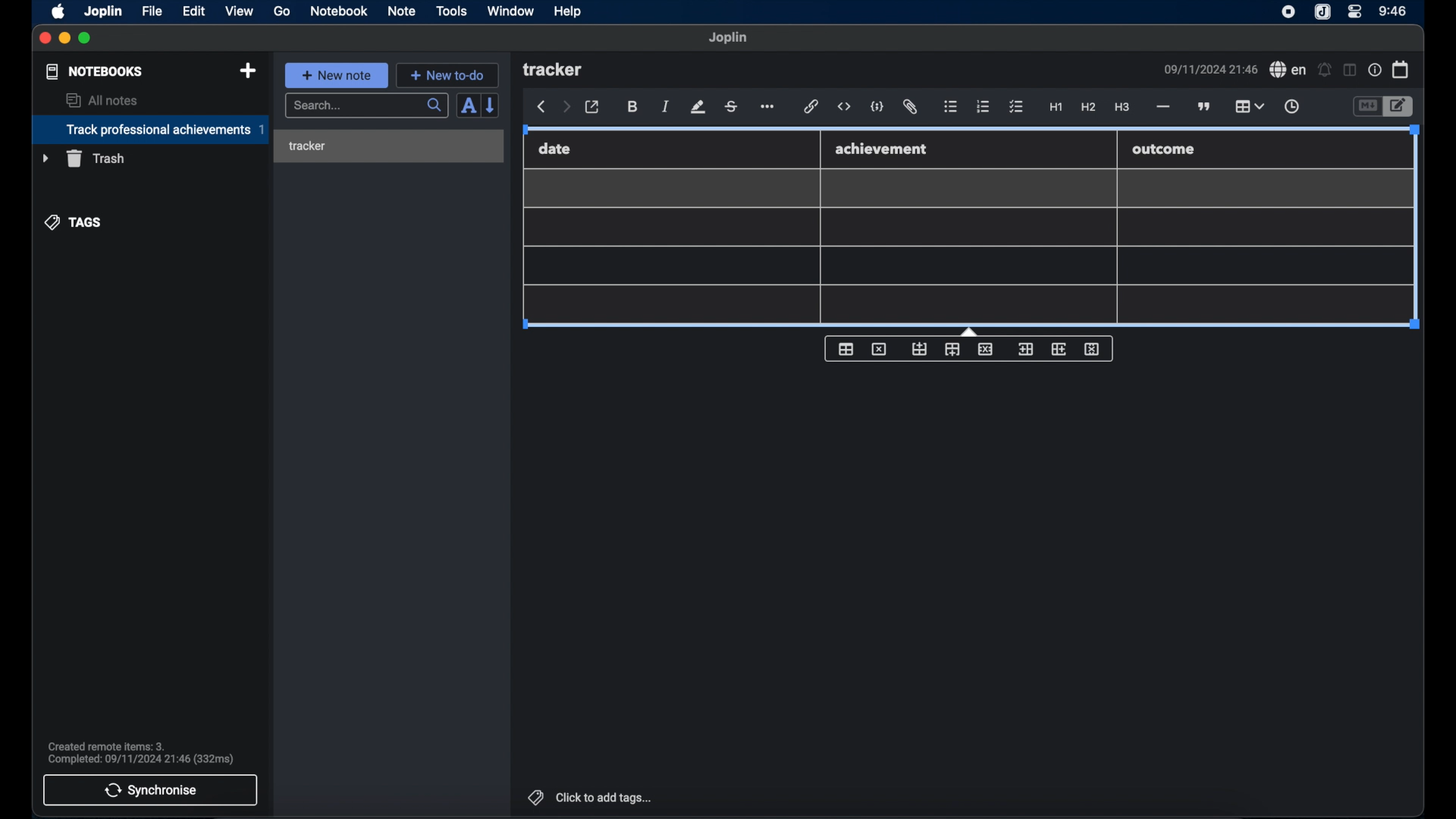 Image resolution: width=1456 pixels, height=819 pixels. What do you see at coordinates (1374, 70) in the screenshot?
I see `note properties` at bounding box center [1374, 70].